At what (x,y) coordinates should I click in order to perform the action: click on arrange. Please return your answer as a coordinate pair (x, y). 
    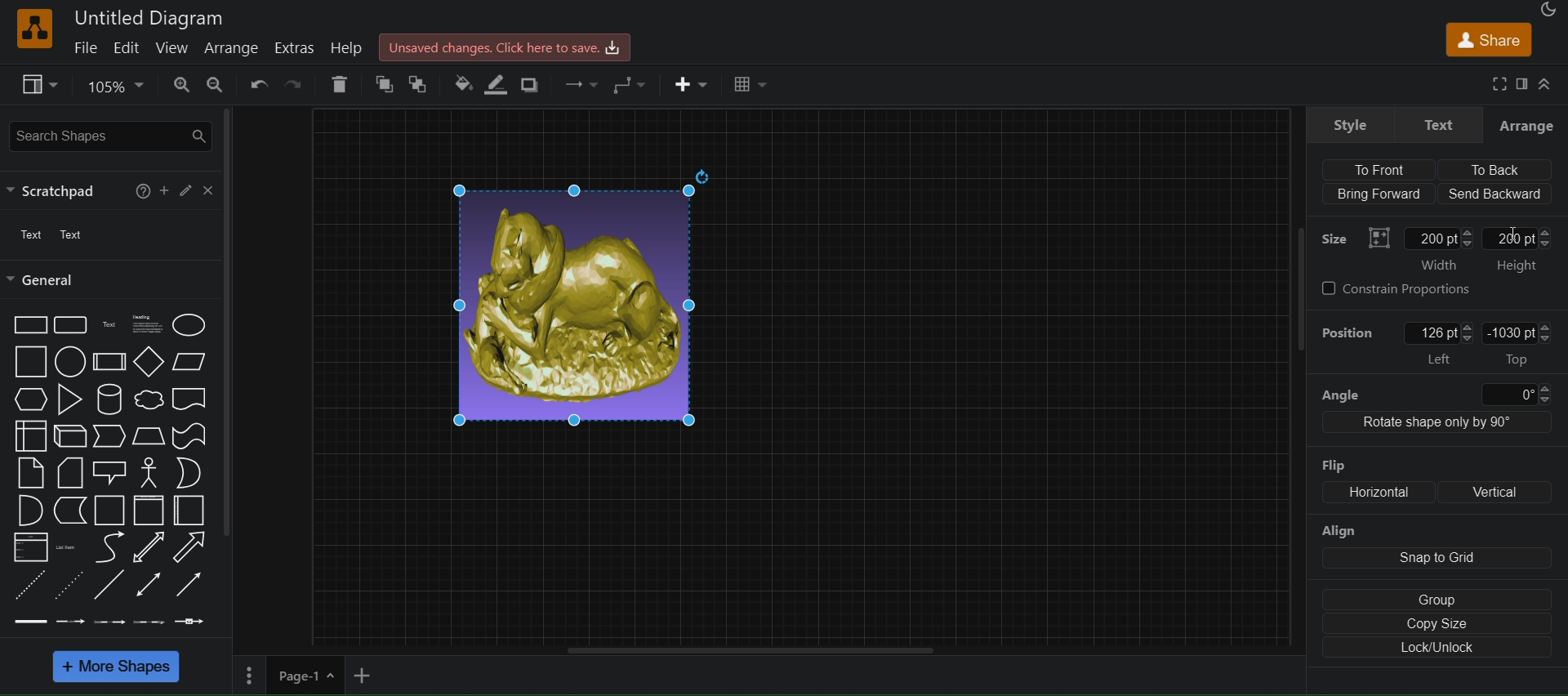
    Looking at the image, I should click on (233, 49).